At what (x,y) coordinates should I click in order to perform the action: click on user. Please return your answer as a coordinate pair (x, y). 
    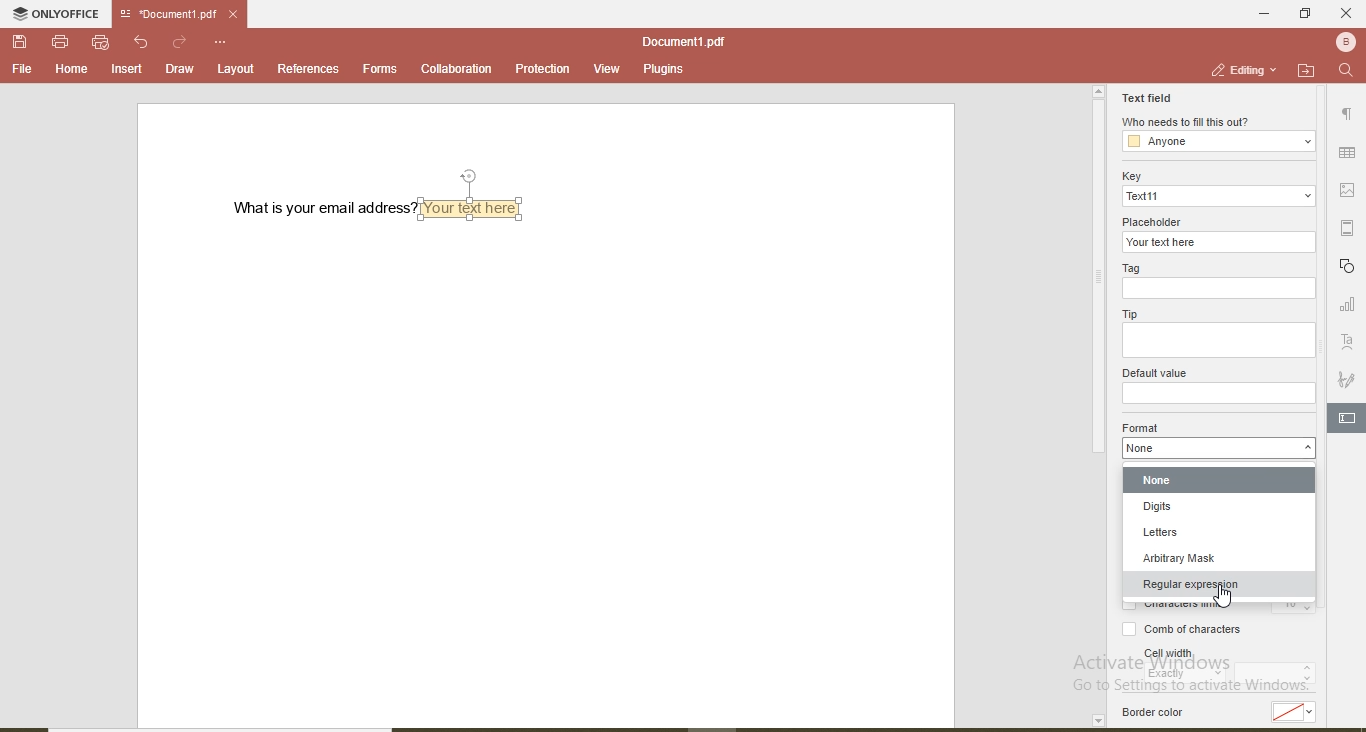
    Looking at the image, I should click on (1344, 41).